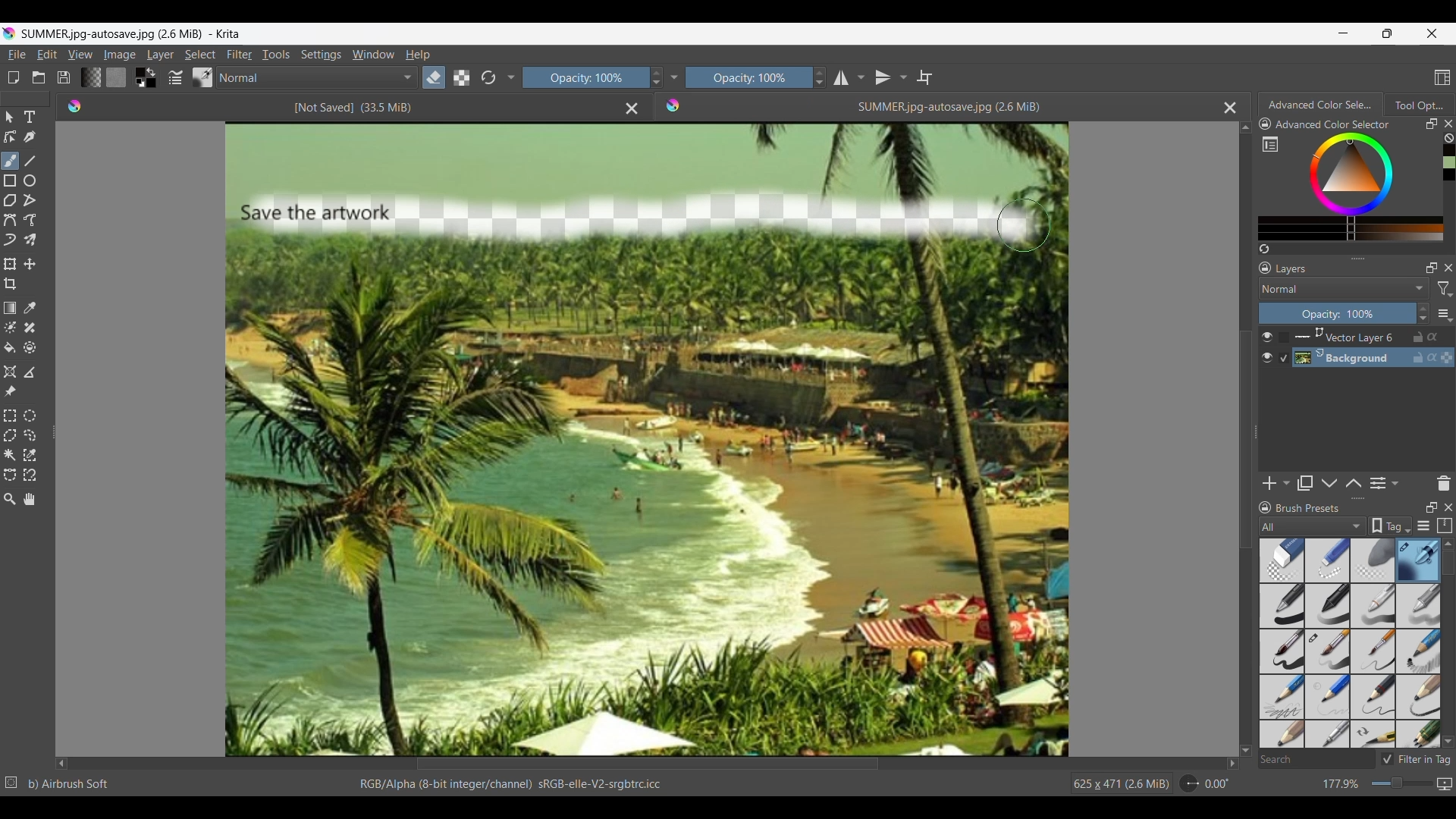  What do you see at coordinates (1336, 125) in the screenshot?
I see `Advanced Color Selector` at bounding box center [1336, 125].